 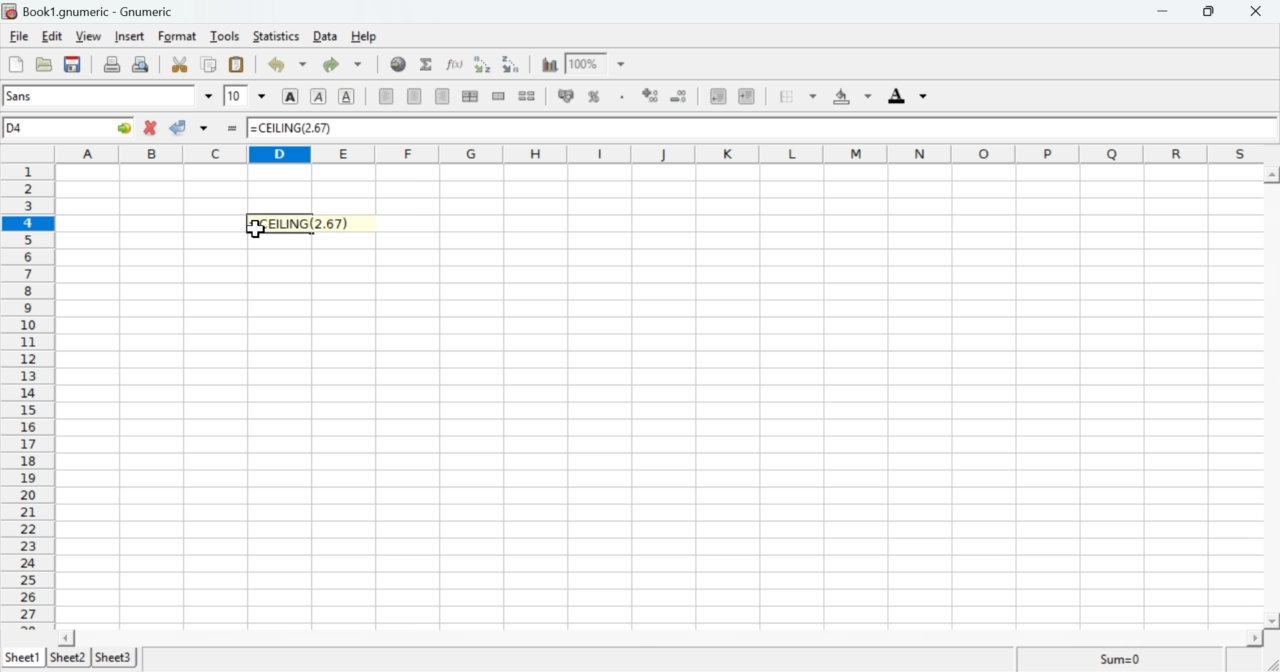 I want to click on Accept change, so click(x=190, y=129).